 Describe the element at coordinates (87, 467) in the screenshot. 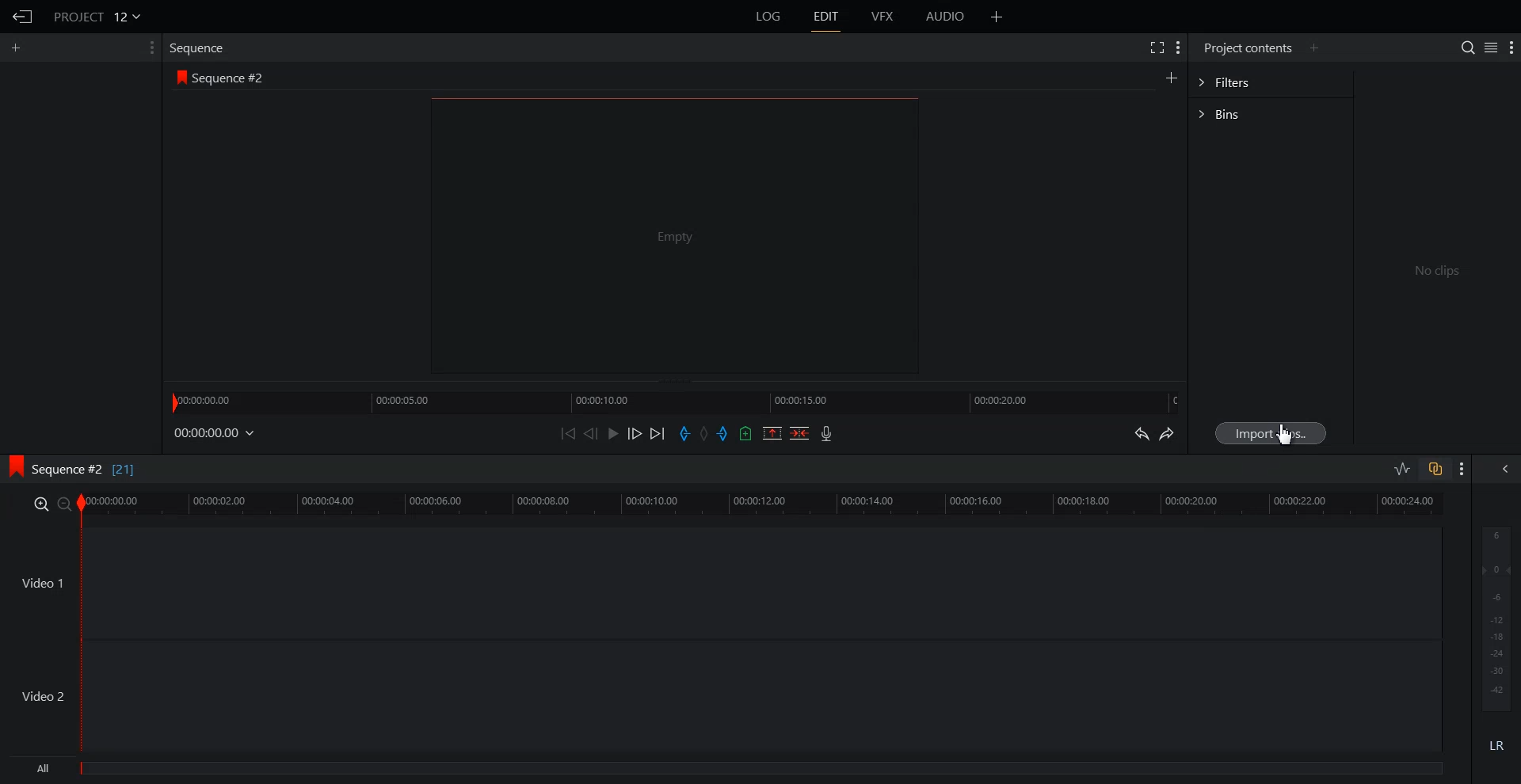

I see `Sequence #2 [21]` at that location.